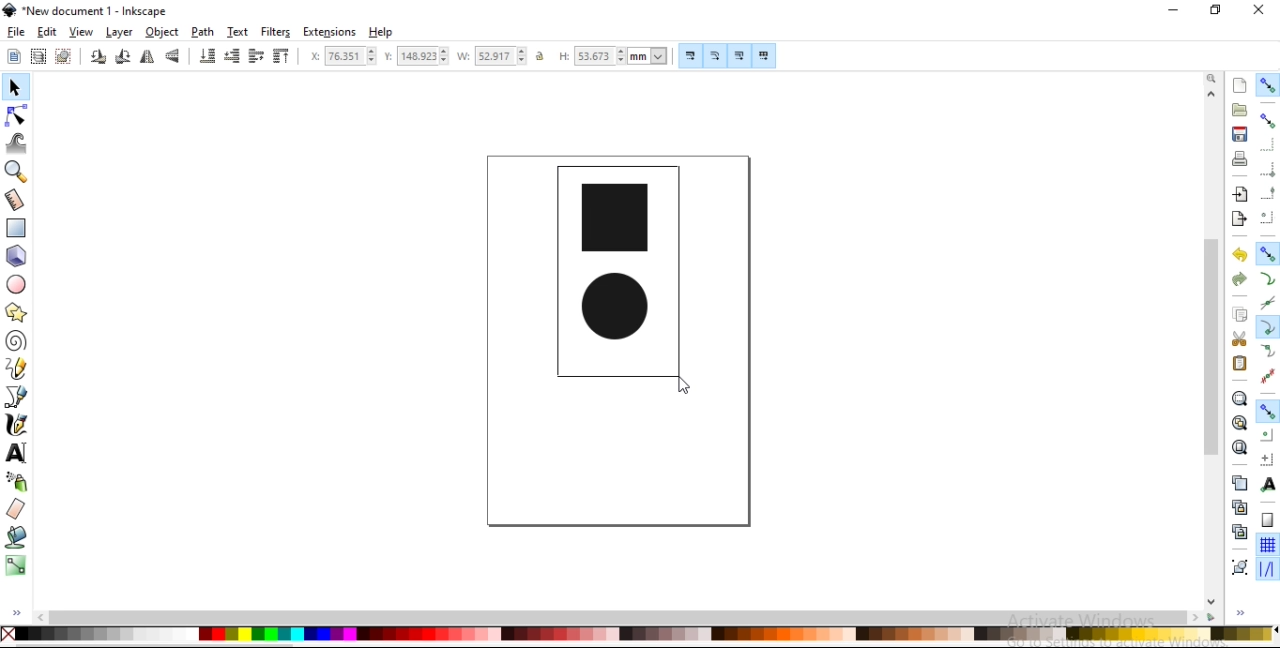  Describe the element at coordinates (1237, 220) in the screenshot. I see `export a document` at that location.